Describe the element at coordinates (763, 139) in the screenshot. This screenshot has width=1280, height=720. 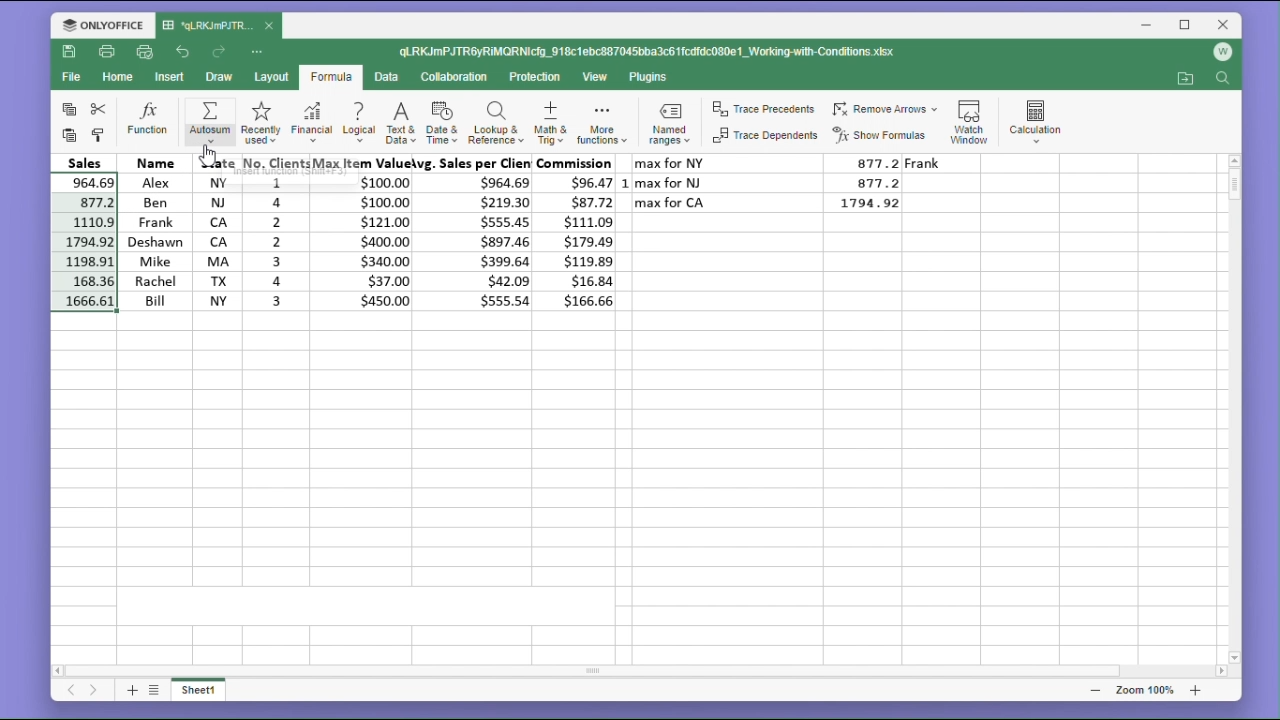
I see `trace dependents` at that location.